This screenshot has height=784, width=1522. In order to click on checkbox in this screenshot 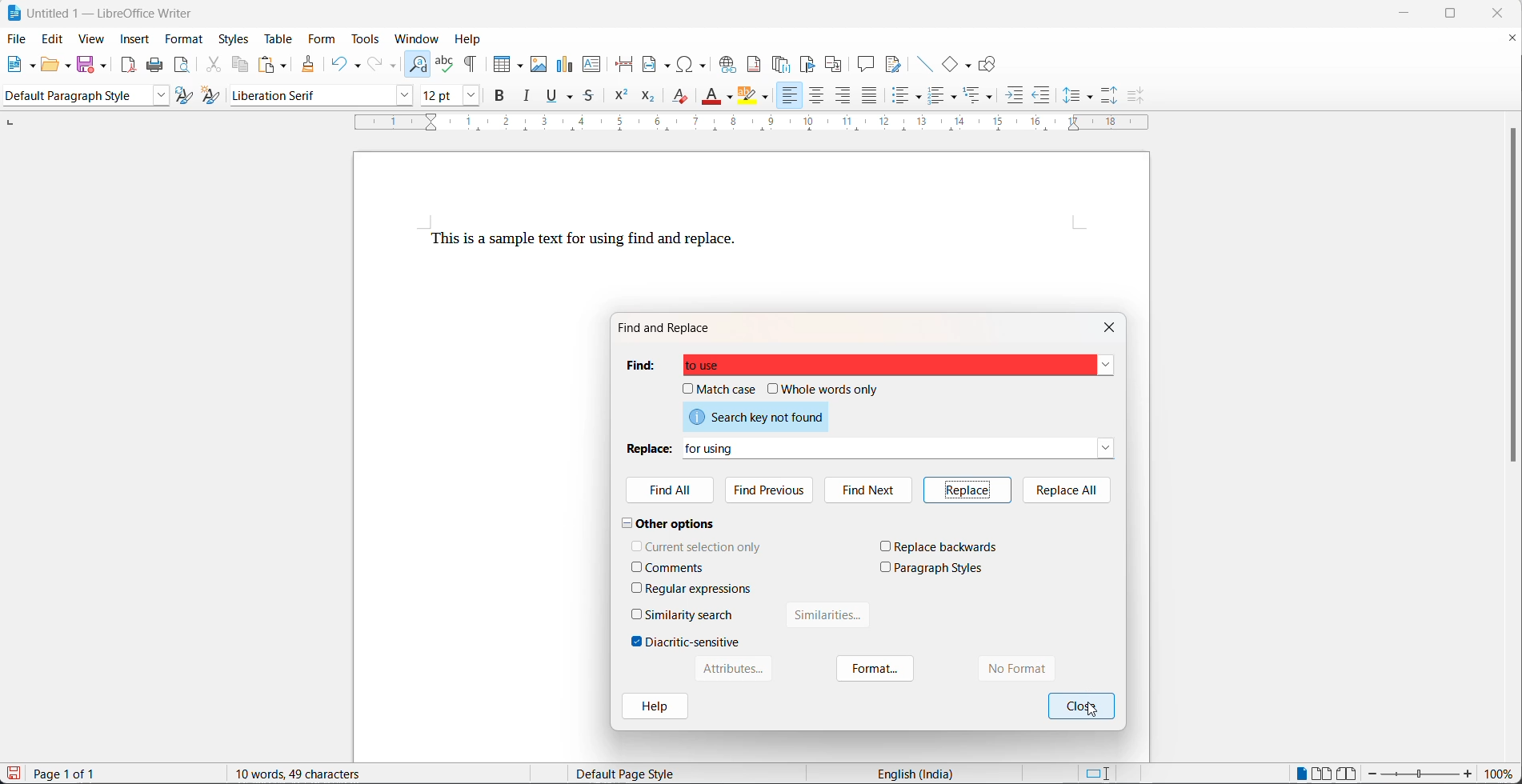, I will do `click(687, 388)`.